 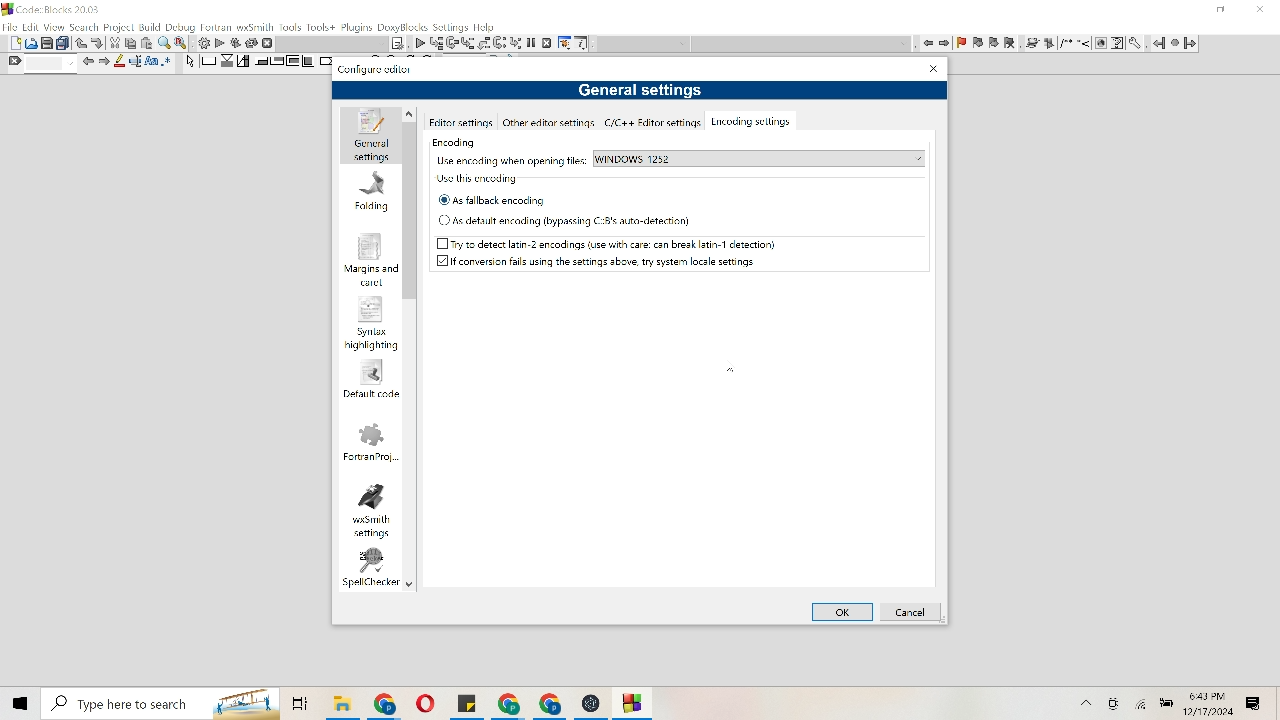 What do you see at coordinates (1212, 704) in the screenshot?
I see `Time and date` at bounding box center [1212, 704].